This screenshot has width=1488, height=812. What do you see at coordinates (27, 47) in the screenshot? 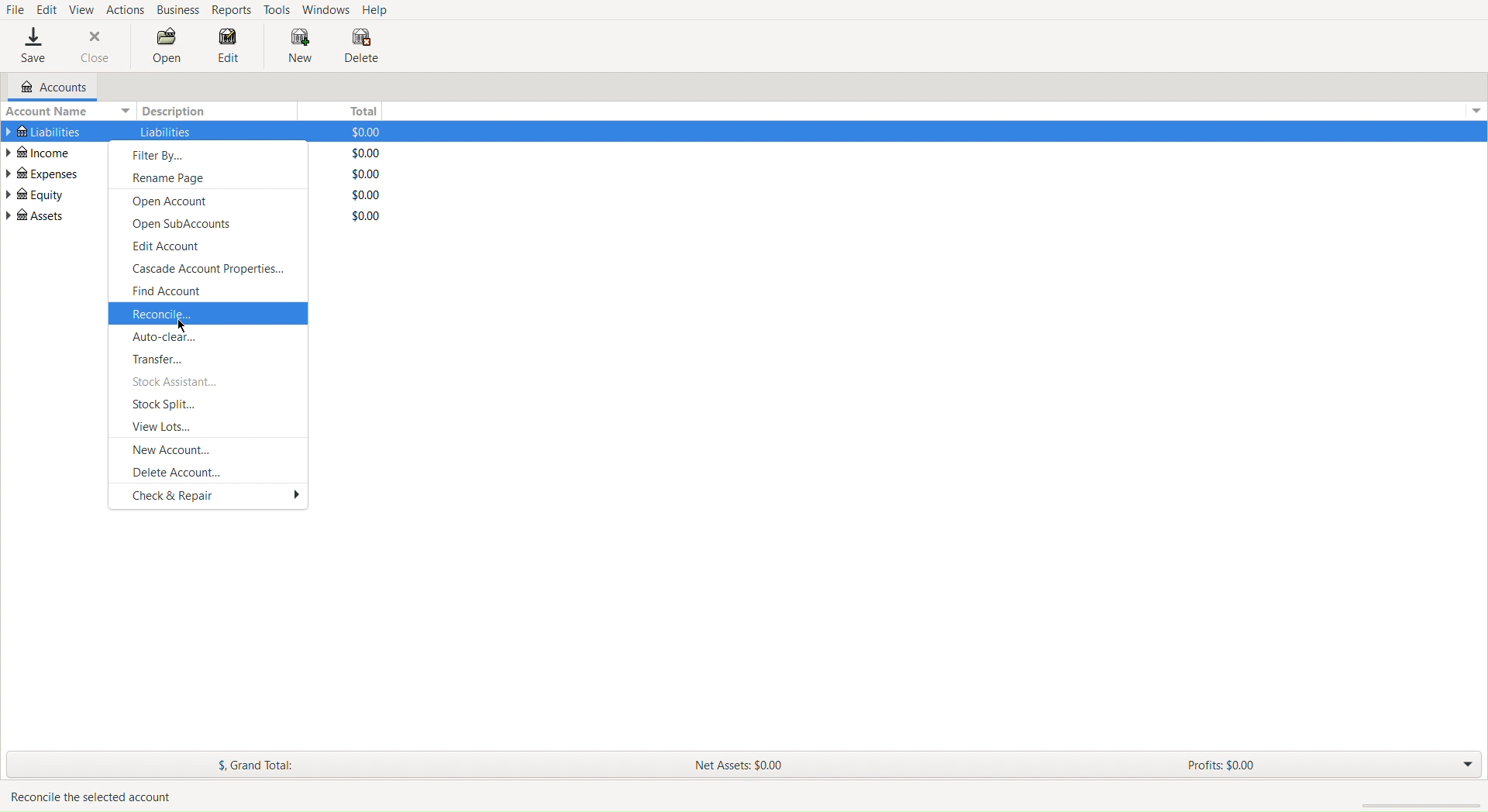
I see `Save` at bounding box center [27, 47].